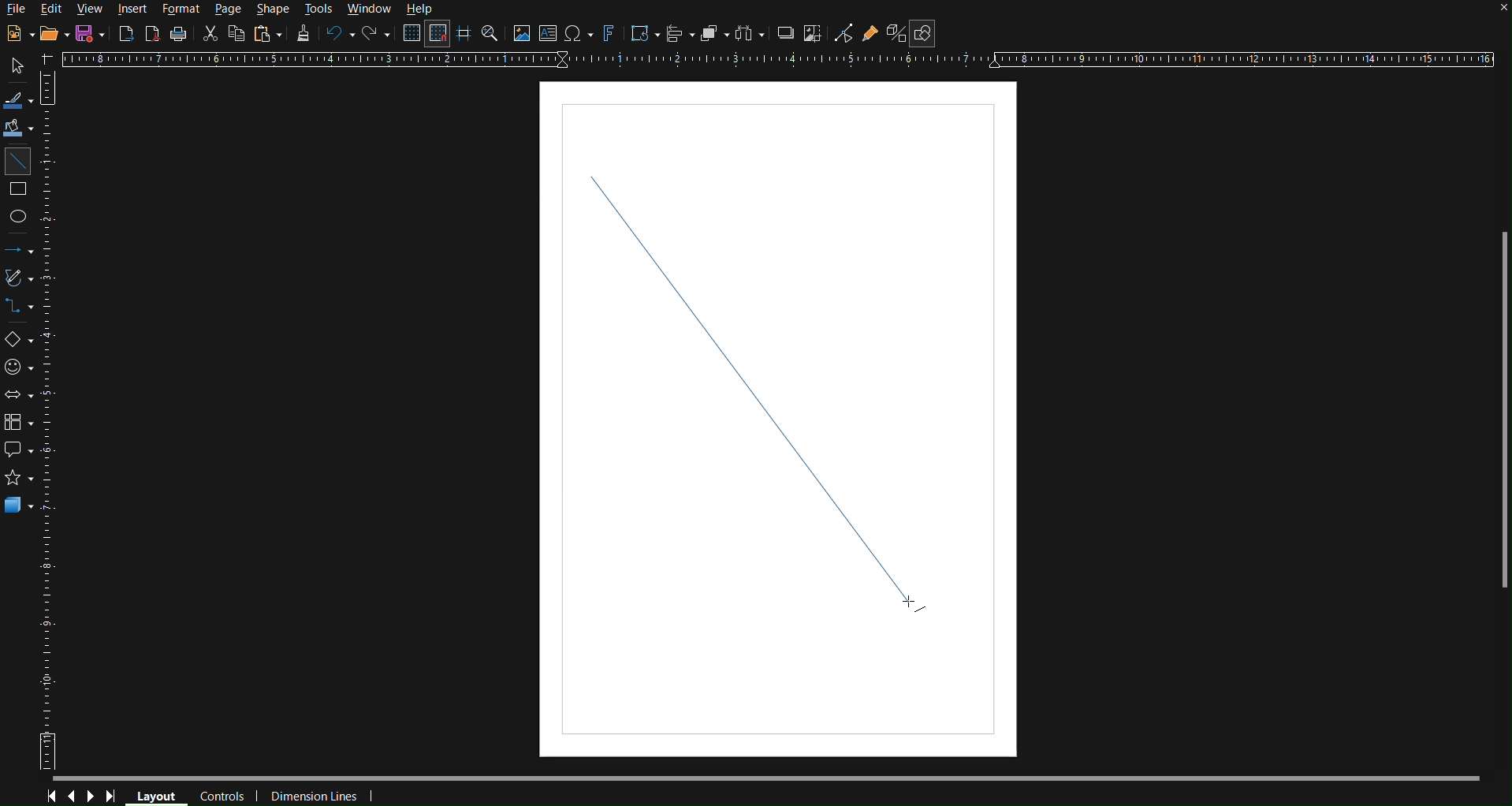  Describe the element at coordinates (50, 796) in the screenshot. I see `First` at that location.